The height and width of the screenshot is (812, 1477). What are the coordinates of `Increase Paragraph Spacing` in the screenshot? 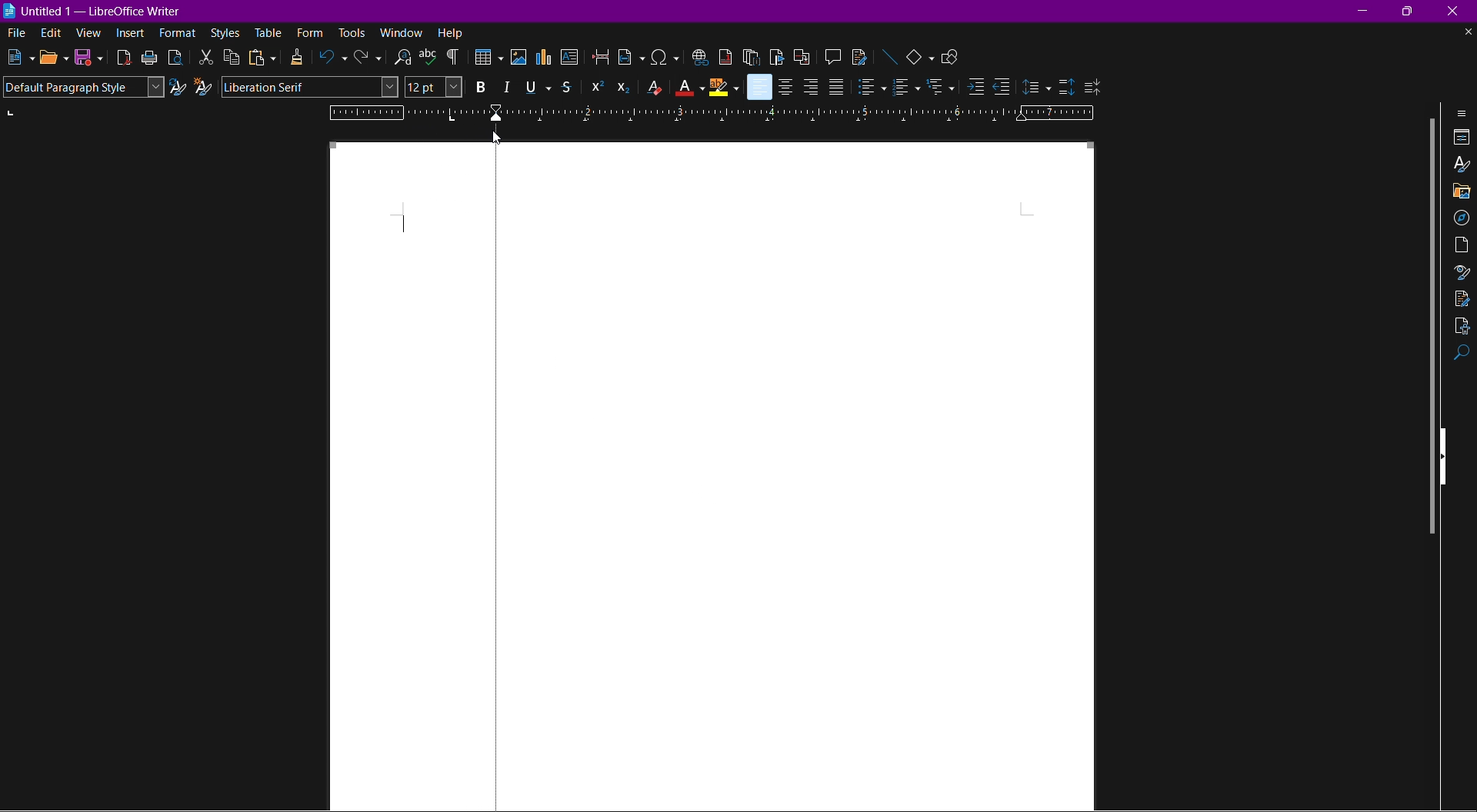 It's located at (1065, 84).